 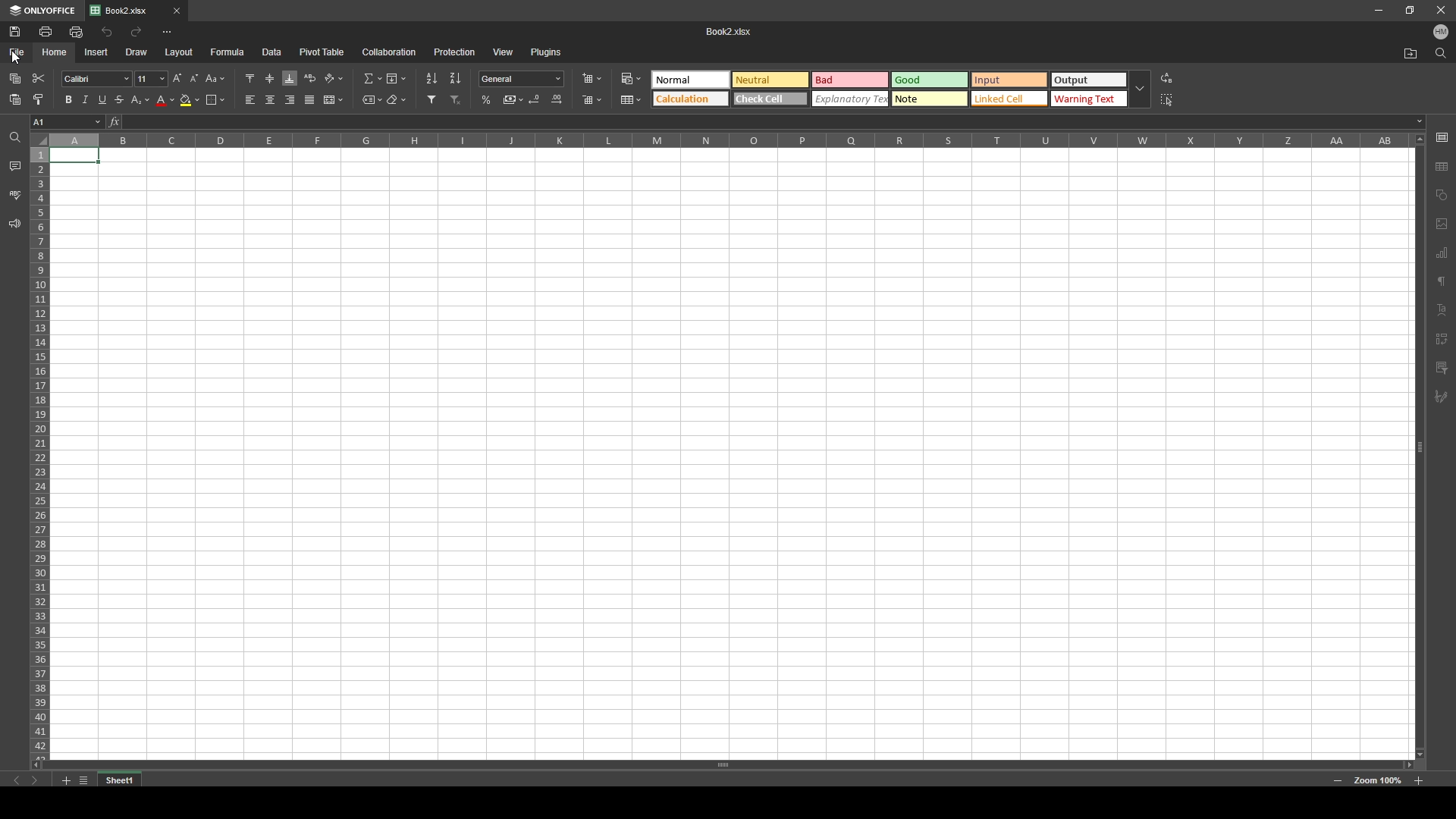 What do you see at coordinates (165, 100) in the screenshot?
I see `line color` at bounding box center [165, 100].